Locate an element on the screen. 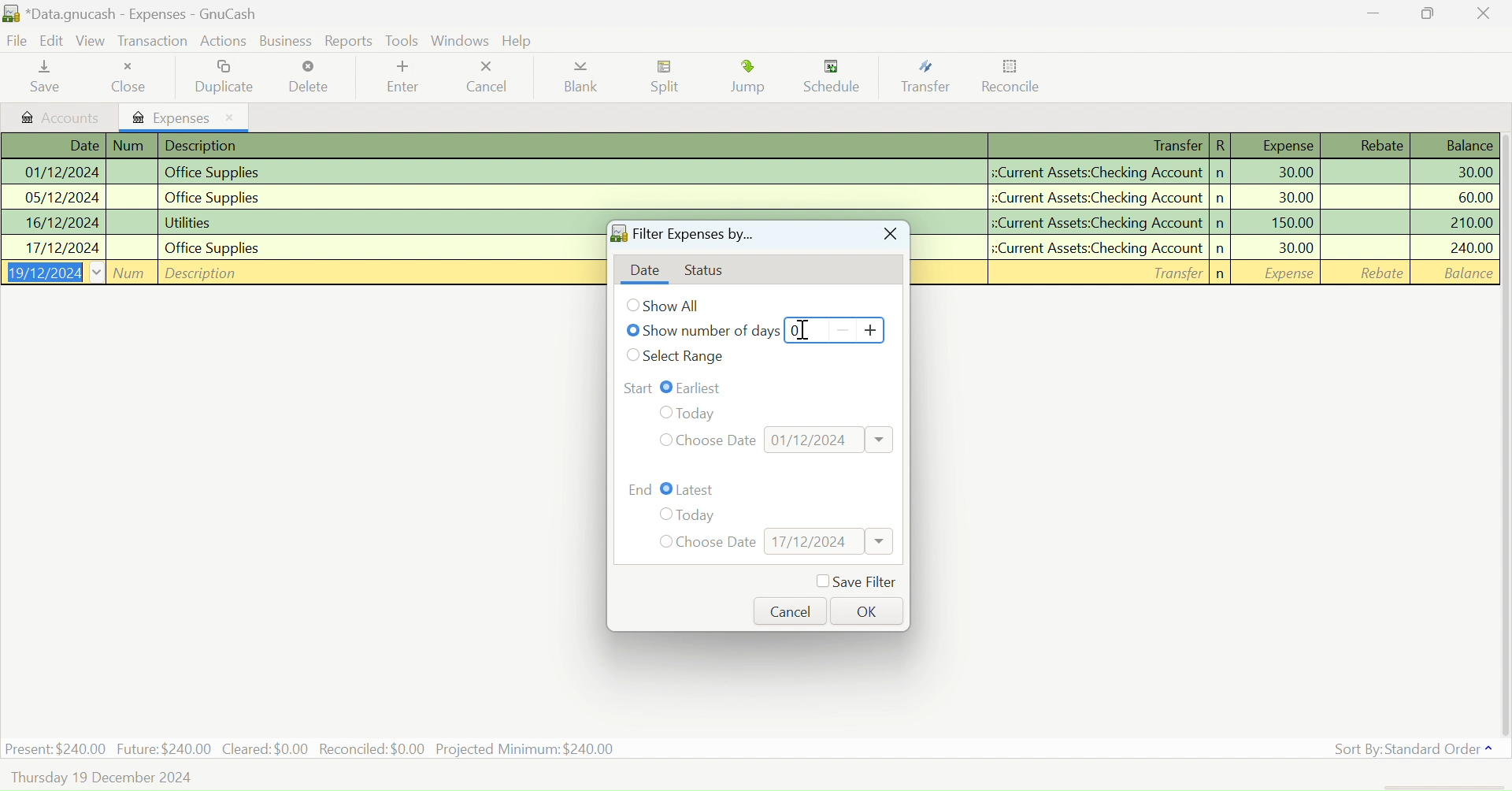  Date Input is located at coordinates (830, 439).